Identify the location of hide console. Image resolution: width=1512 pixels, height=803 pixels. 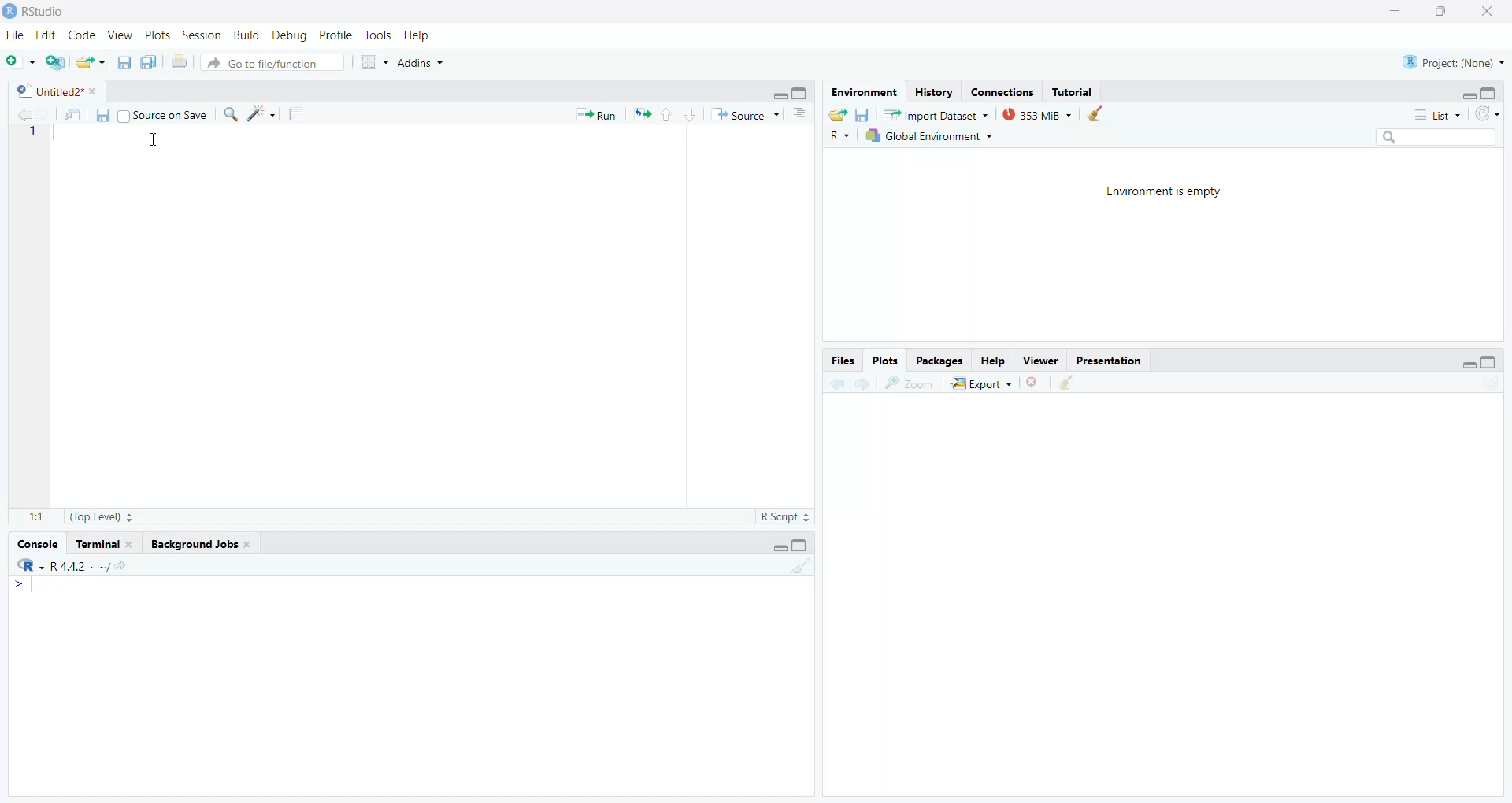
(1489, 362).